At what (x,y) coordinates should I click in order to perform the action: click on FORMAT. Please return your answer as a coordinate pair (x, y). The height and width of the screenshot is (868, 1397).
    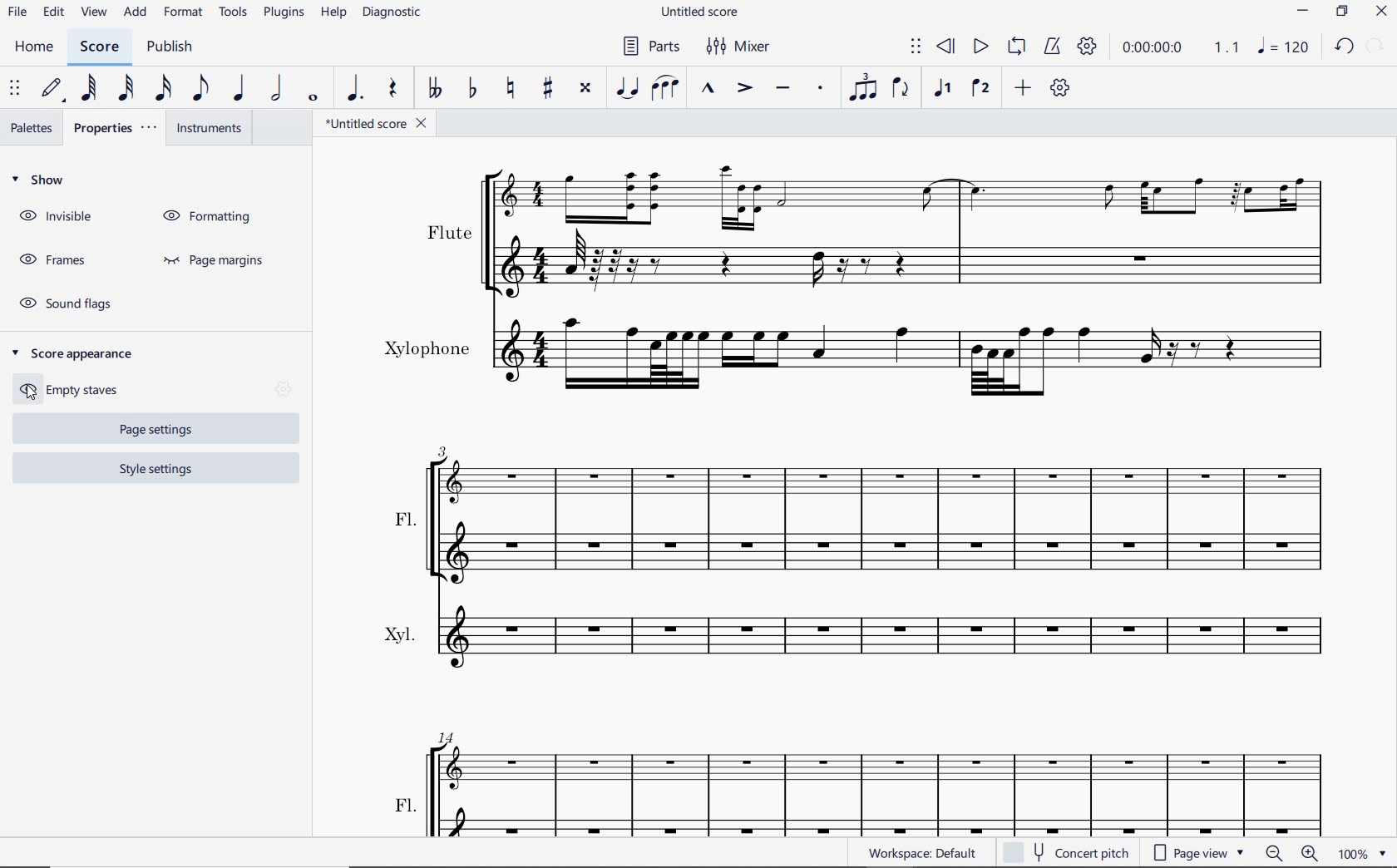
    Looking at the image, I should click on (182, 13).